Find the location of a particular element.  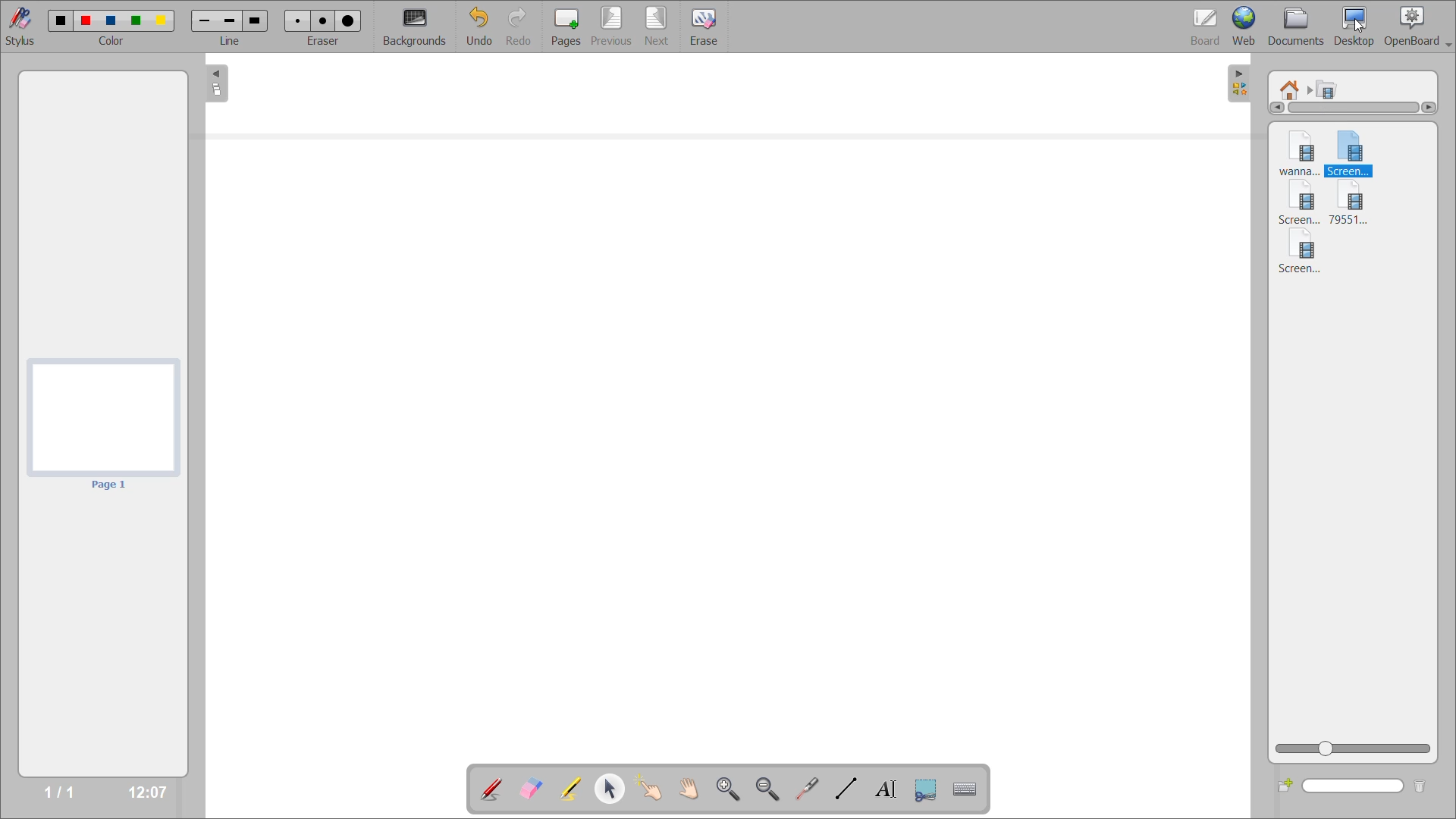

Small eraser is located at coordinates (299, 20).